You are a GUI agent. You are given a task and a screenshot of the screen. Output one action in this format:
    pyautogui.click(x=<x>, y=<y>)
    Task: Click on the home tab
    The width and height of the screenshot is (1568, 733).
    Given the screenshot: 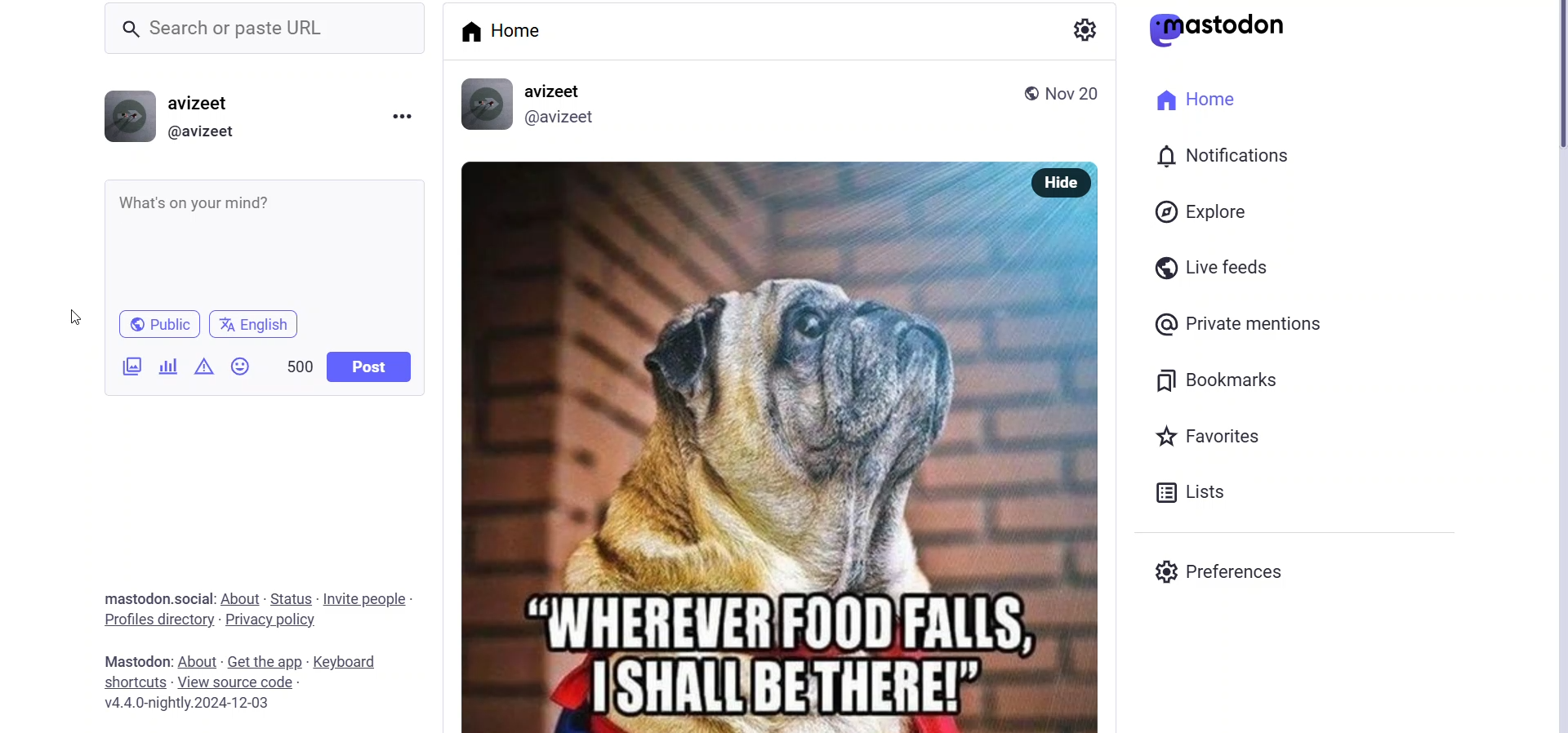 What is the action you would take?
    pyautogui.click(x=507, y=36)
    